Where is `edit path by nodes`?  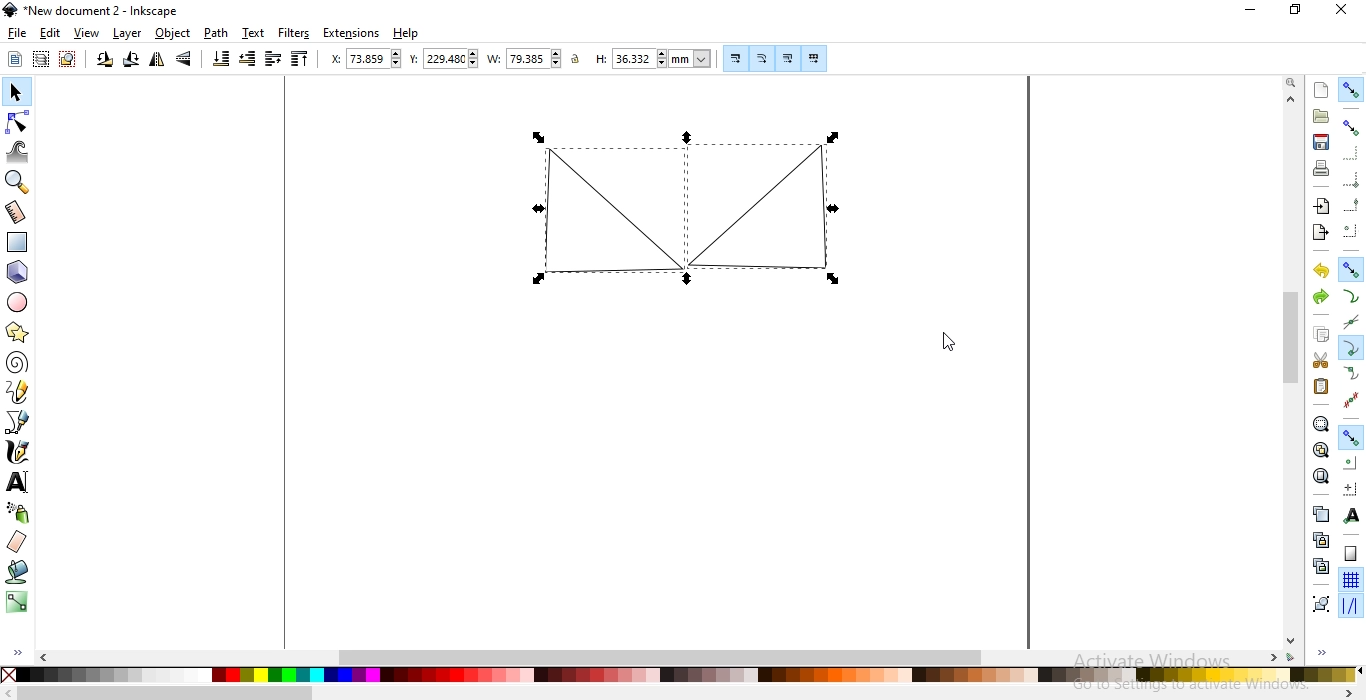 edit path by nodes is located at coordinates (16, 120).